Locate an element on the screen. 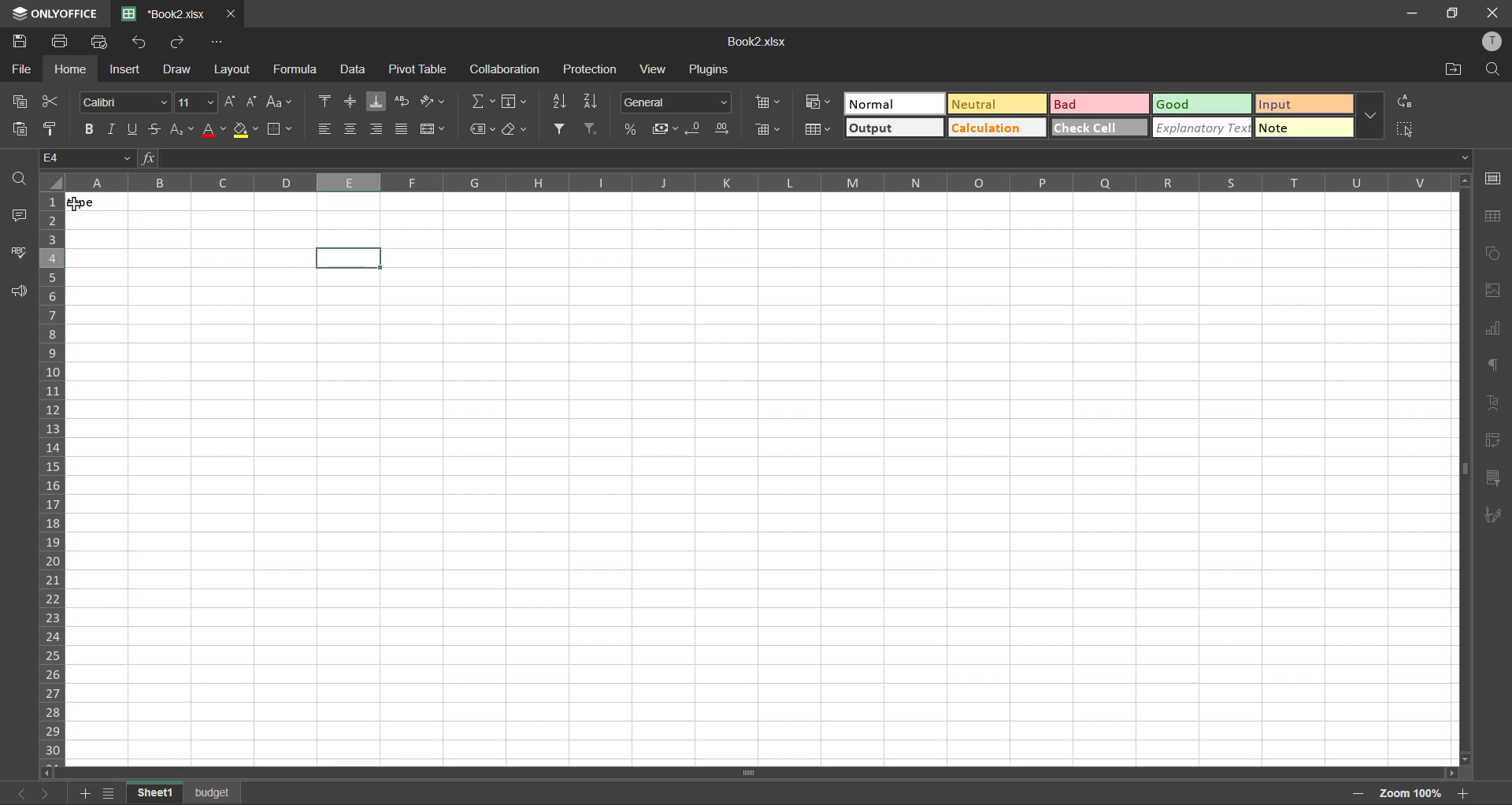 This screenshot has width=1512, height=805. merge and center is located at coordinates (433, 128).